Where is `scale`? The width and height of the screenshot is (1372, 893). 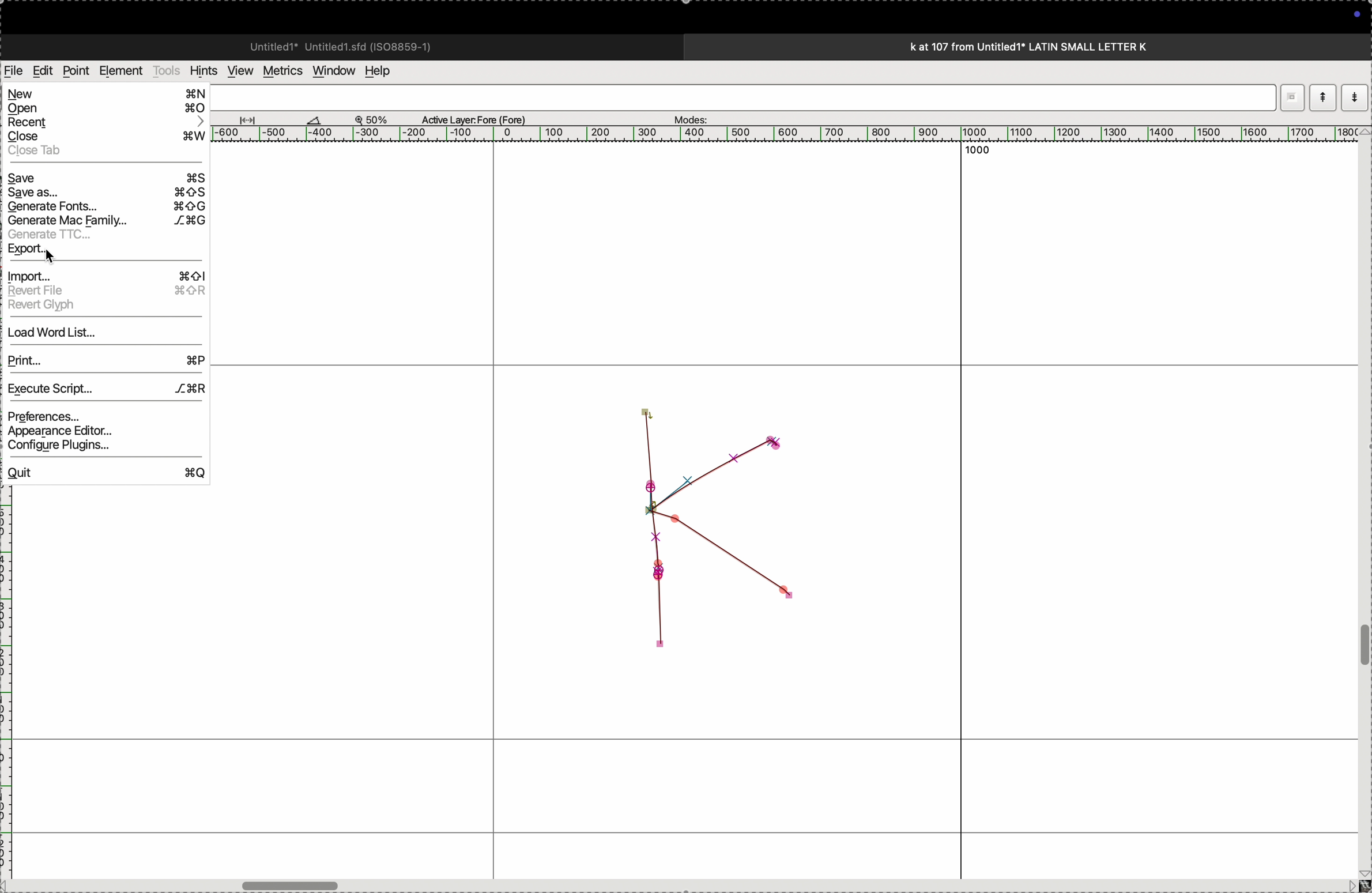
scale is located at coordinates (787, 135).